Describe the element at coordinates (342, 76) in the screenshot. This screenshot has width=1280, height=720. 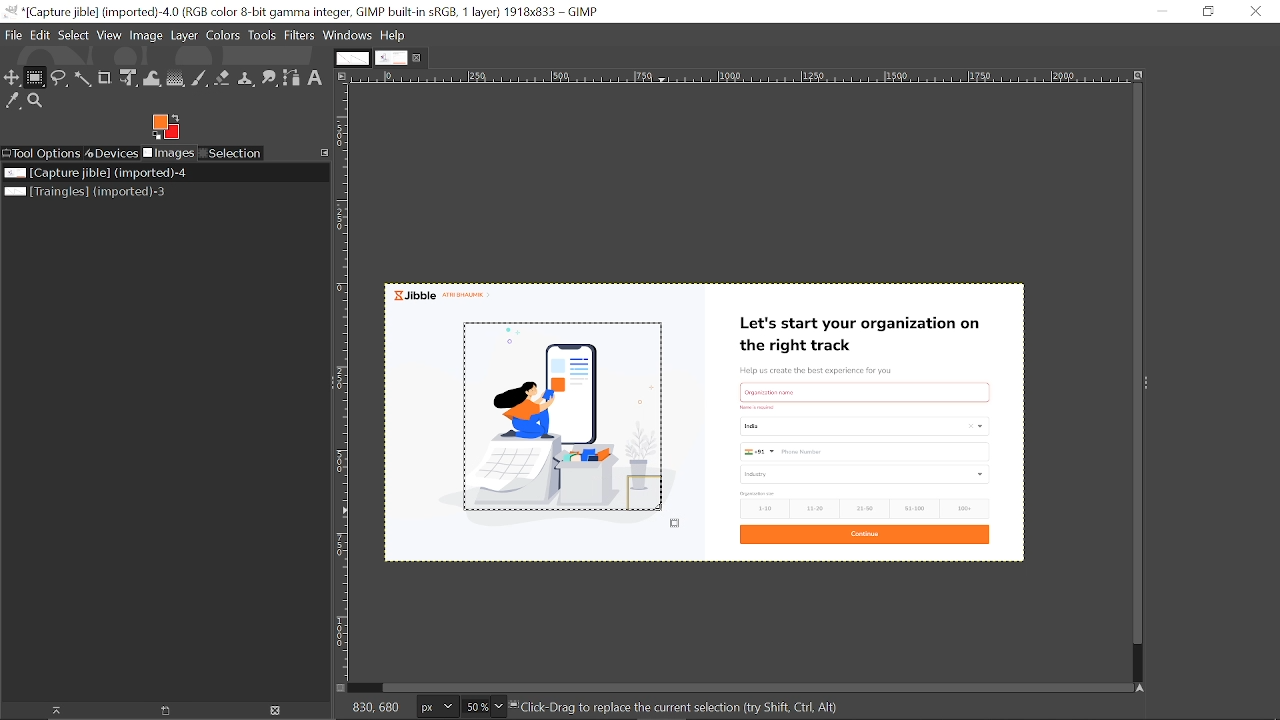
I see `Access this image menu` at that location.